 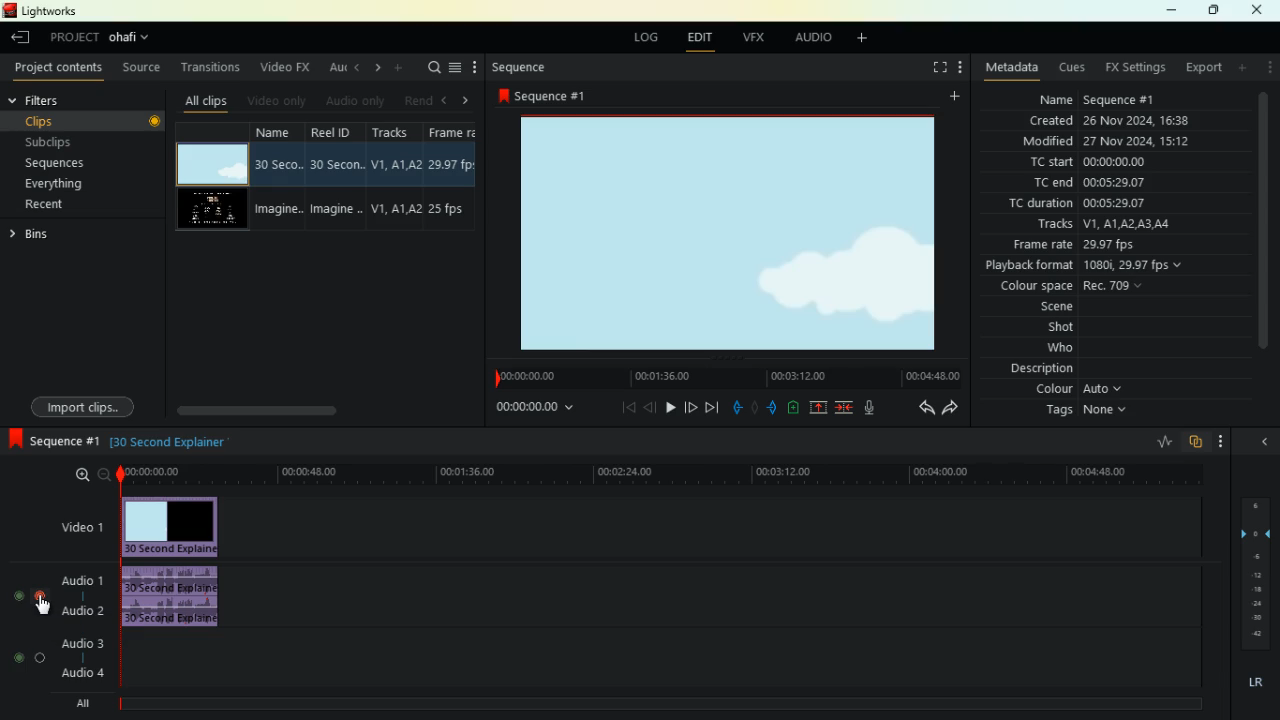 What do you see at coordinates (78, 644) in the screenshot?
I see `audio 3` at bounding box center [78, 644].